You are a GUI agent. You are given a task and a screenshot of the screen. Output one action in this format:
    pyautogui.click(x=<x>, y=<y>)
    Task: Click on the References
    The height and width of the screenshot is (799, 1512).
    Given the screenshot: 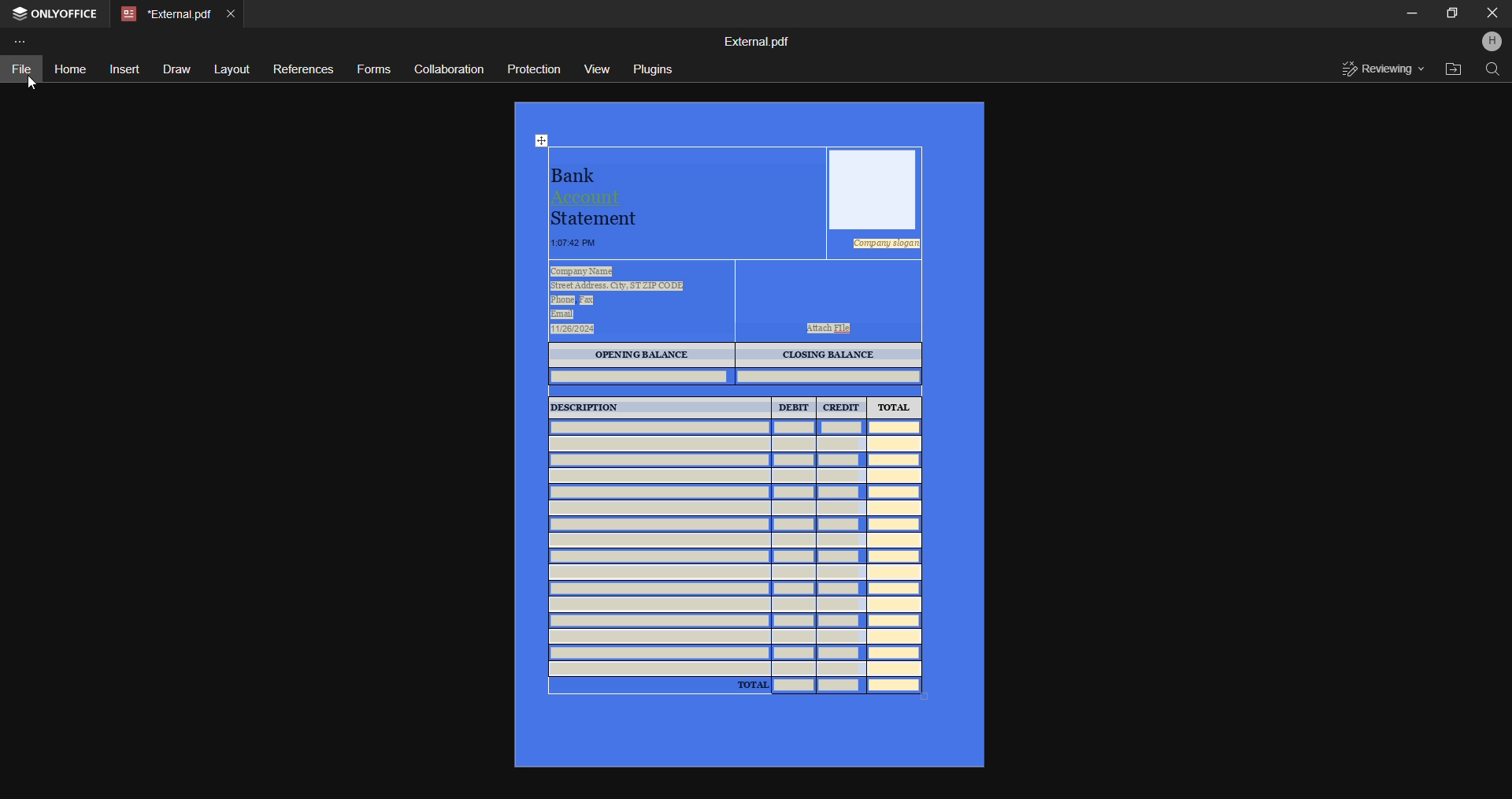 What is the action you would take?
    pyautogui.click(x=299, y=71)
    